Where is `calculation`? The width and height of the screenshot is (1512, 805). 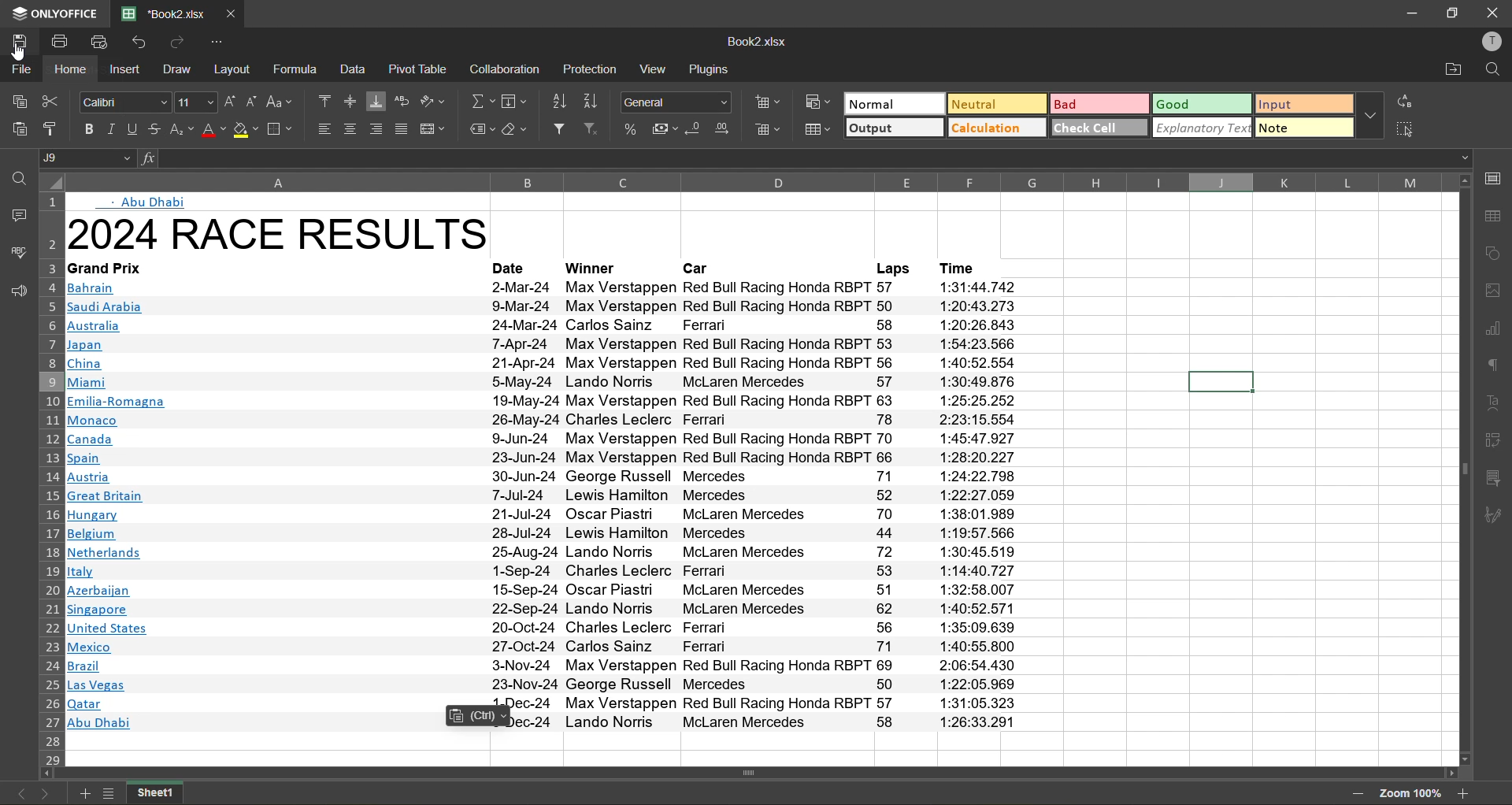 calculation is located at coordinates (997, 129).